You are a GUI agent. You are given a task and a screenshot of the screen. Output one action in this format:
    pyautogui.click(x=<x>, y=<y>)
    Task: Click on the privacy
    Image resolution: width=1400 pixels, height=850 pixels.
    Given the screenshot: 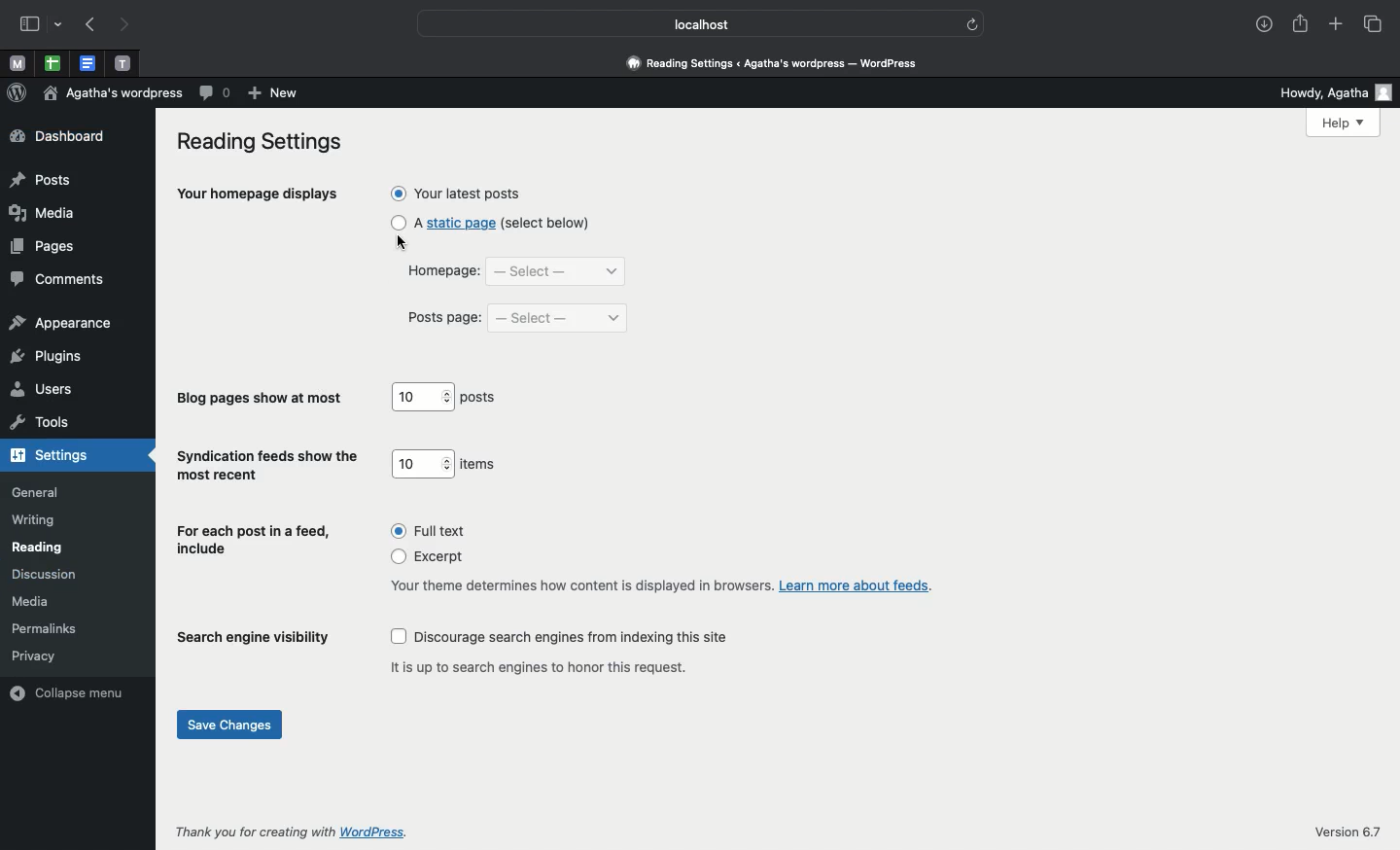 What is the action you would take?
    pyautogui.click(x=34, y=655)
    